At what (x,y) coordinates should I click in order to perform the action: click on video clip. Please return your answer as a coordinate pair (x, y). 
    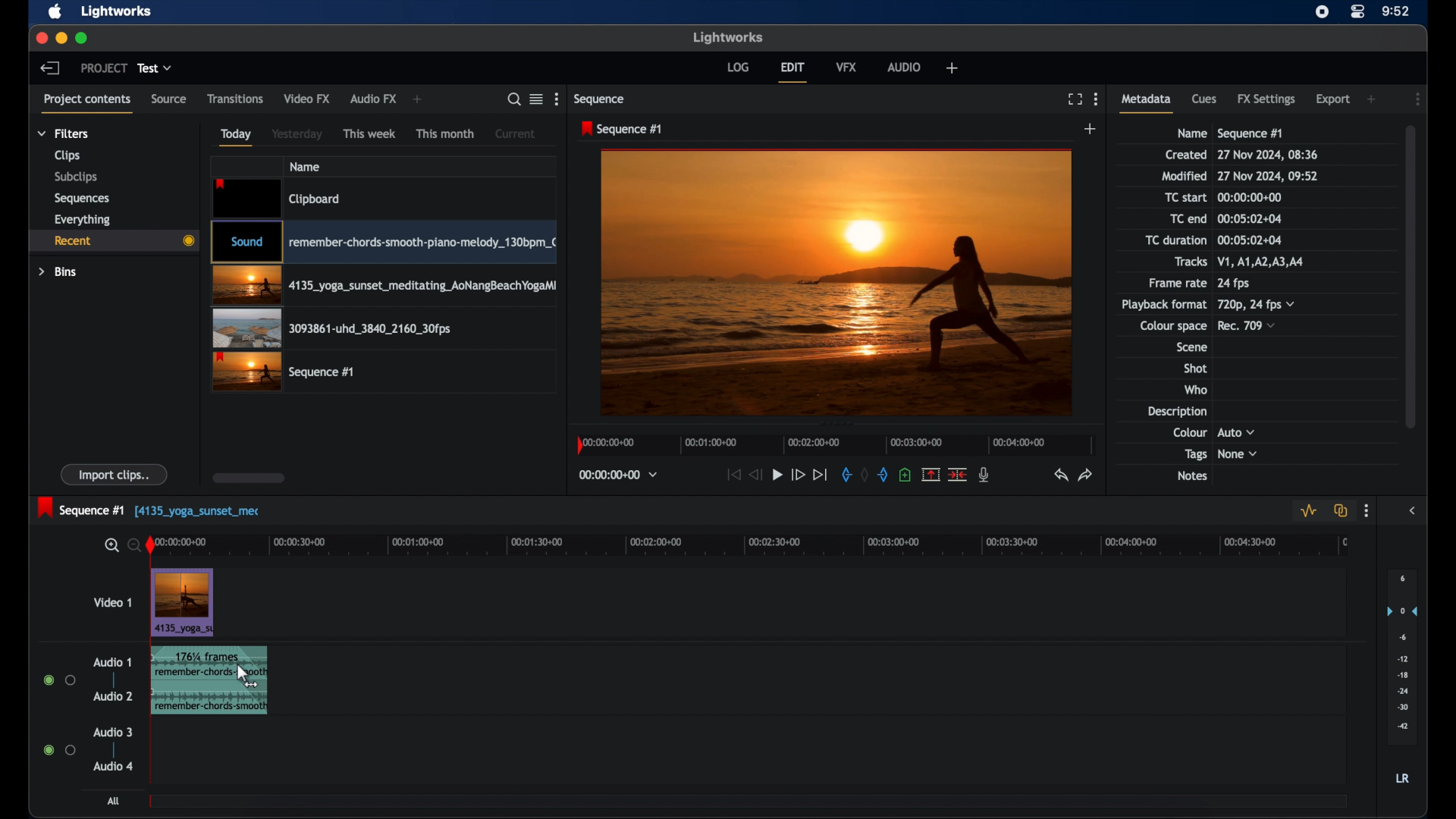
    Looking at the image, I should click on (283, 372).